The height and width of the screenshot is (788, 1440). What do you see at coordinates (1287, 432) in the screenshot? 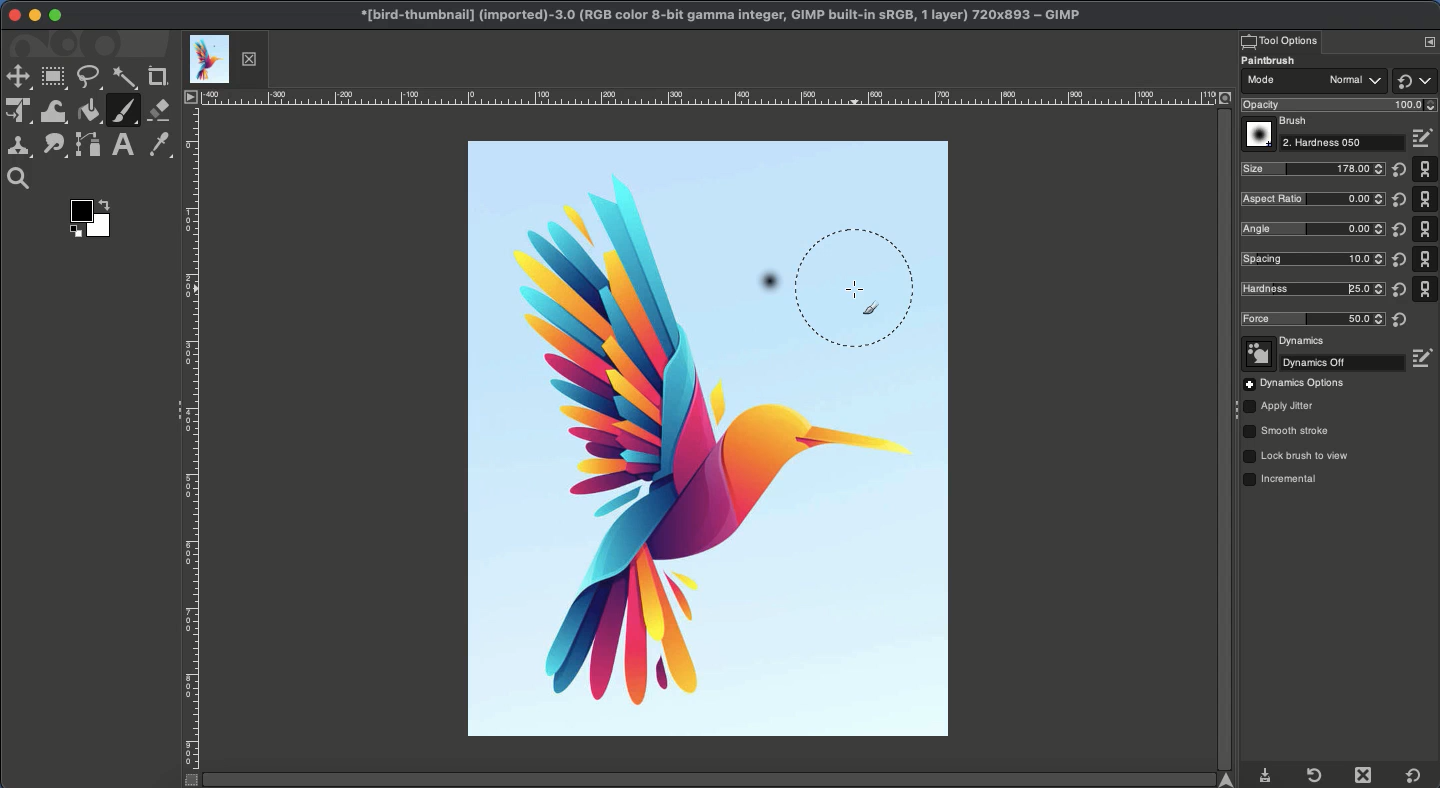
I see `Smooth stroke` at bounding box center [1287, 432].